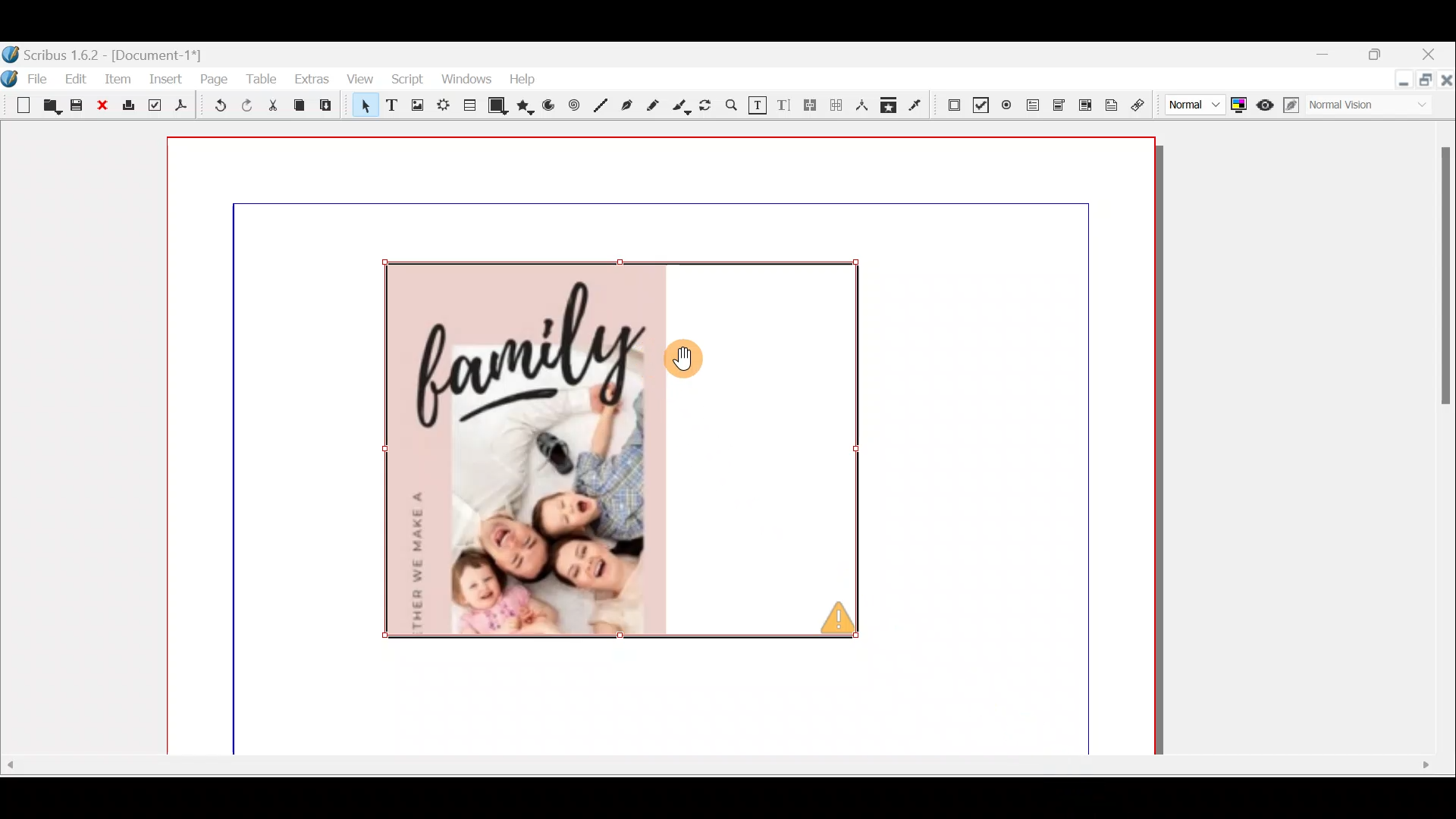 The image size is (1456, 819). Describe the element at coordinates (863, 104) in the screenshot. I see `Measurements` at that location.